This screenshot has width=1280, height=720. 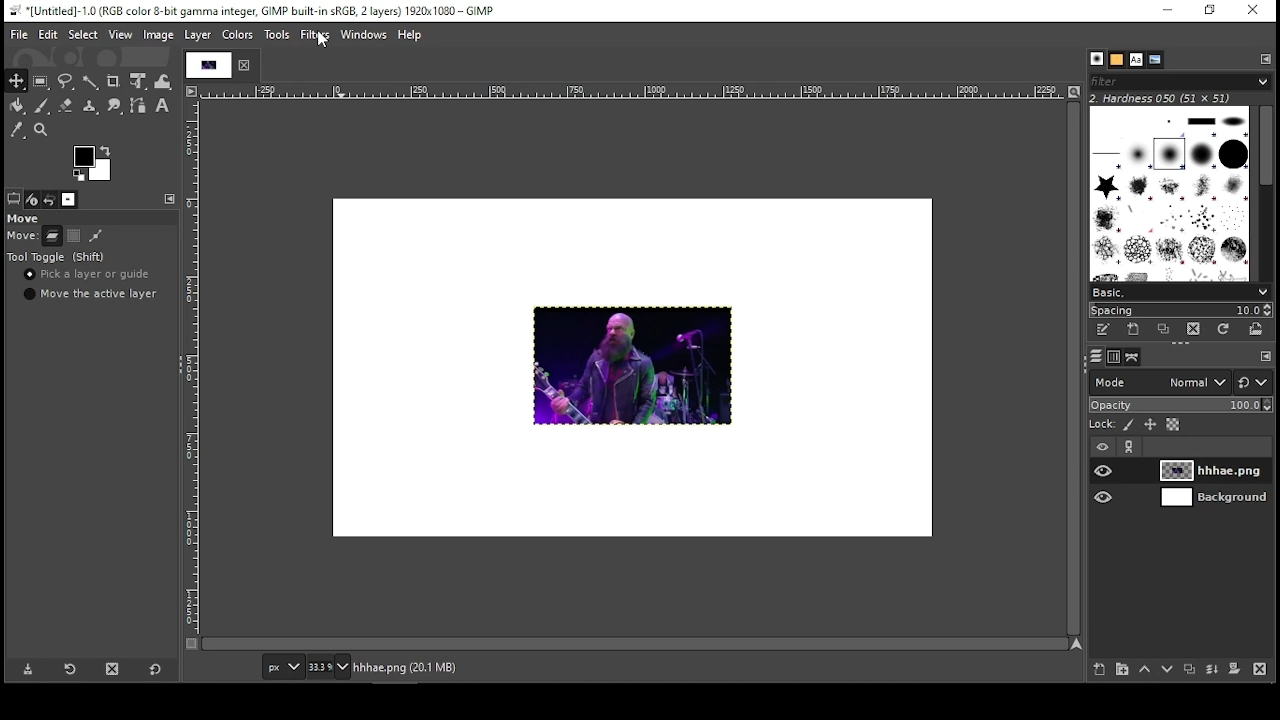 What do you see at coordinates (220, 65) in the screenshot?
I see `project tab` at bounding box center [220, 65].